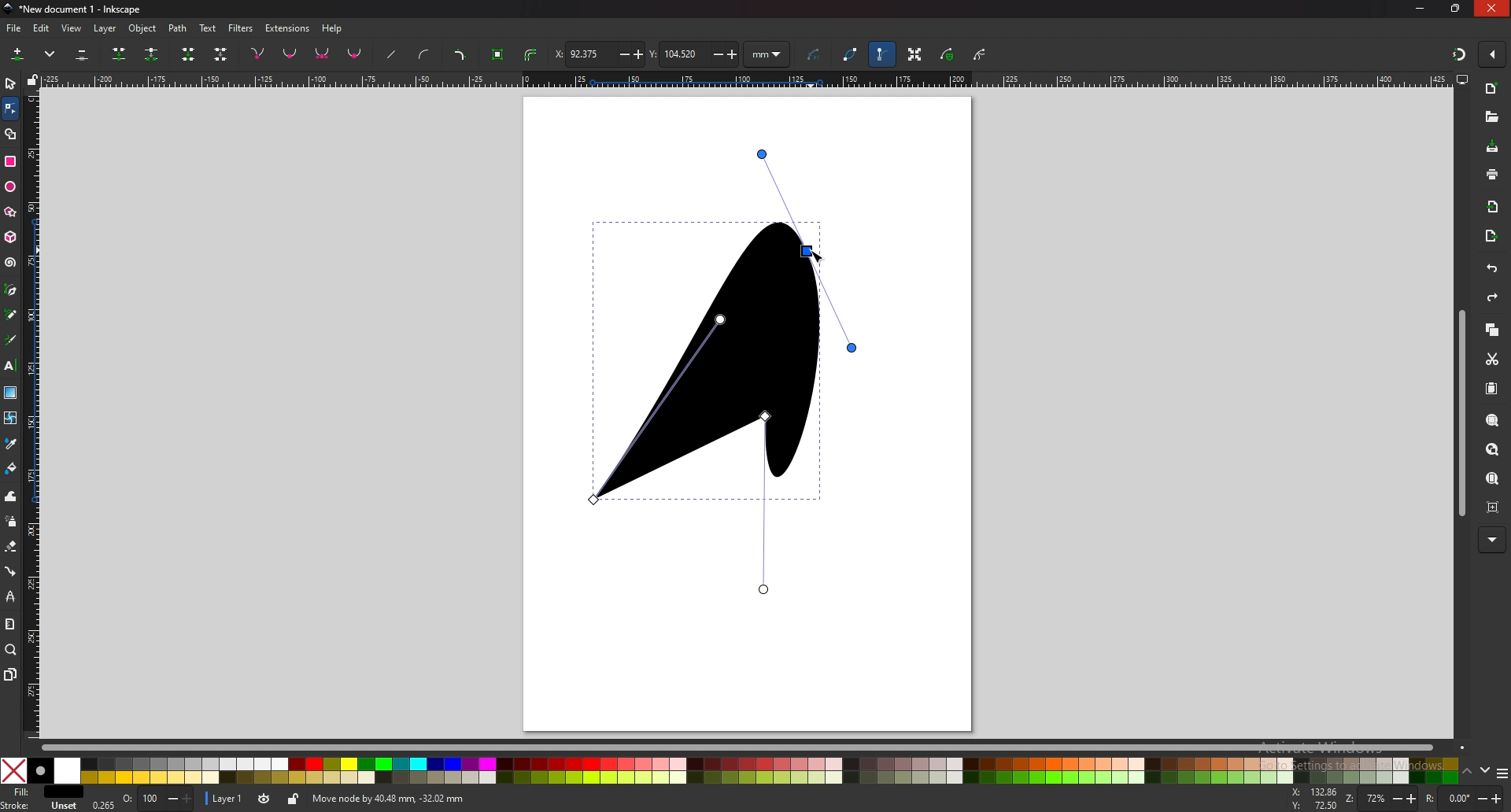  What do you see at coordinates (12, 547) in the screenshot?
I see `eraser` at bounding box center [12, 547].